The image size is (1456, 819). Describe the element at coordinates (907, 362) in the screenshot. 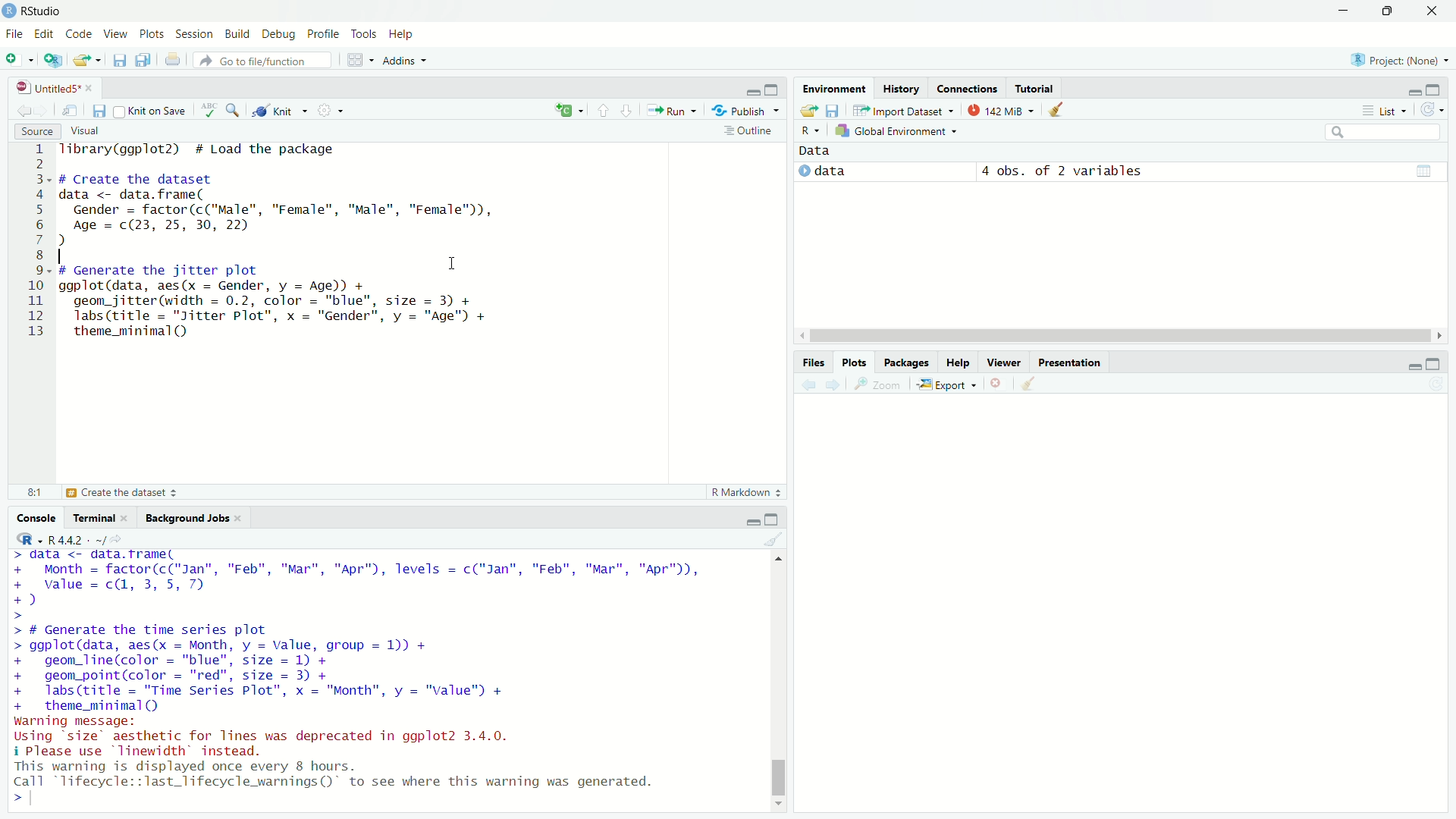

I see `packages` at that location.